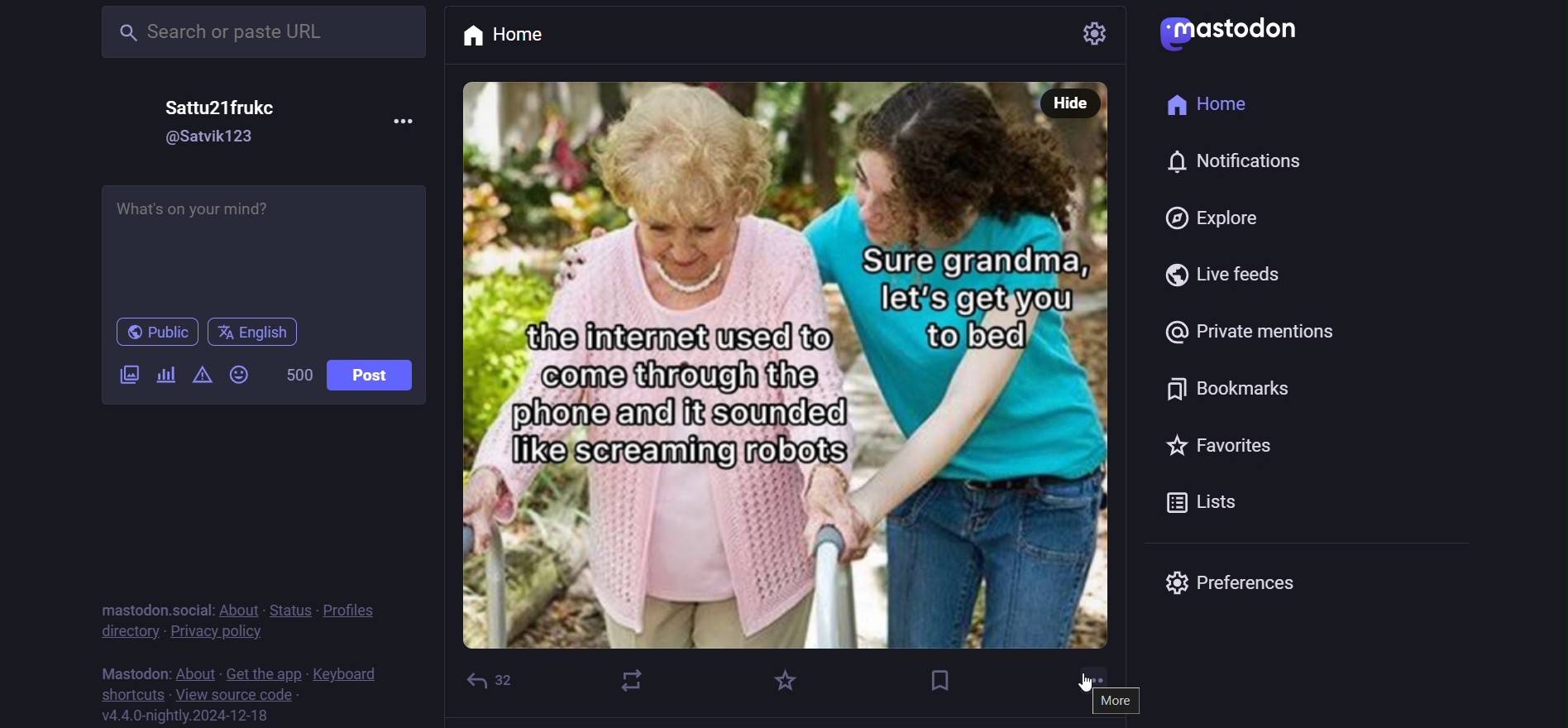  I want to click on status, so click(294, 608).